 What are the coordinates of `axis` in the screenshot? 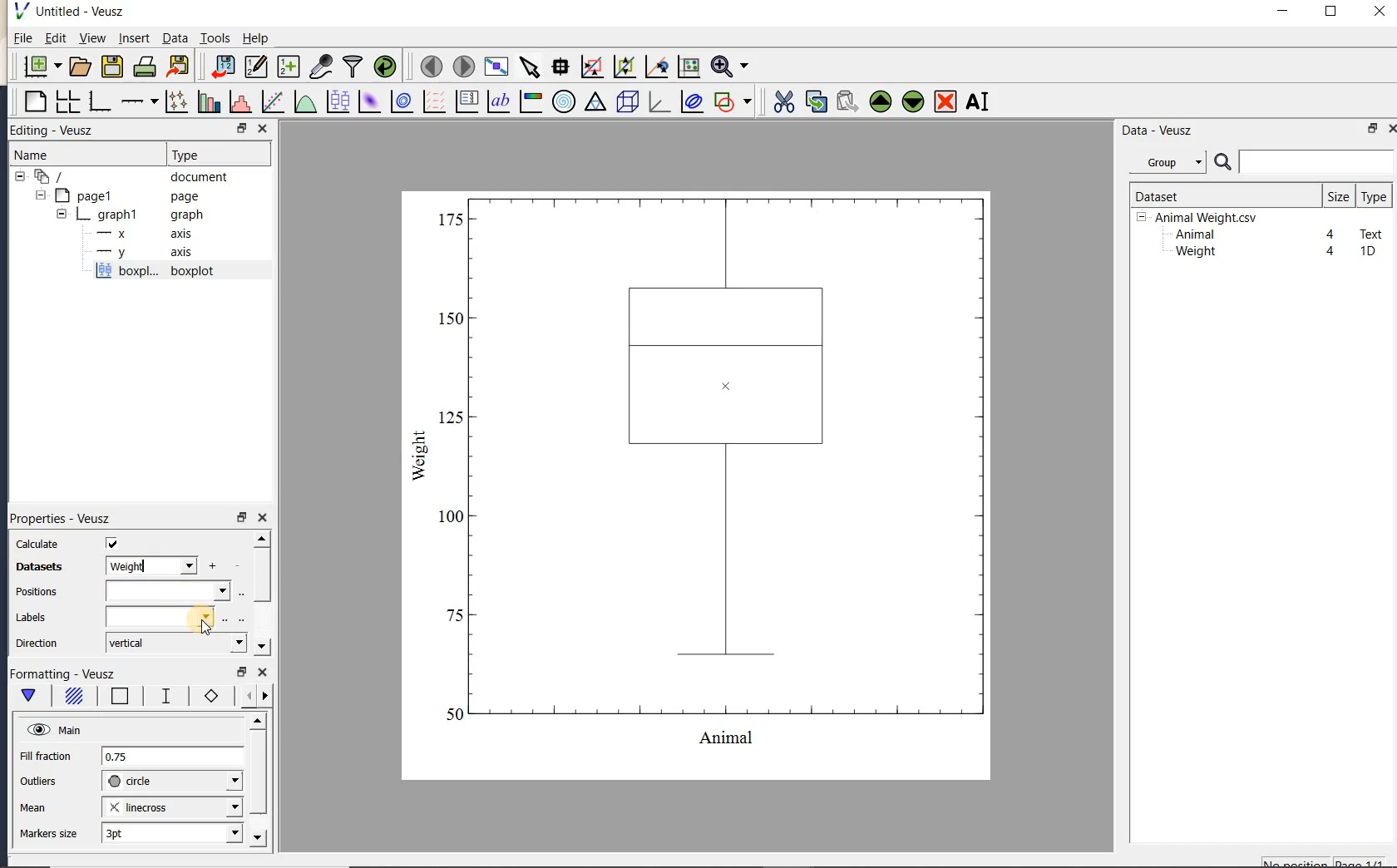 It's located at (141, 253).